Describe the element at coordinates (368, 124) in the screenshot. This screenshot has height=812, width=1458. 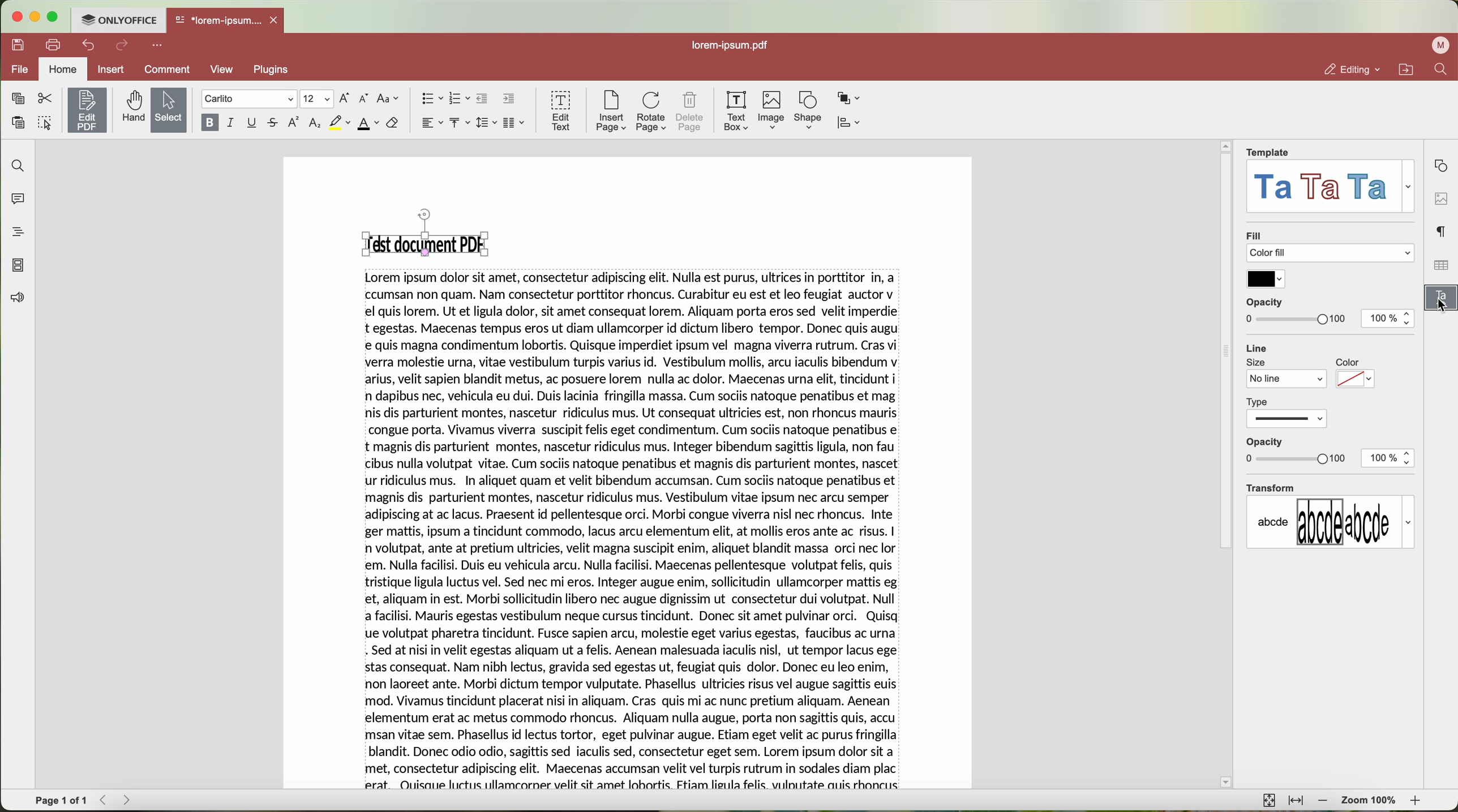
I see `font color` at that location.